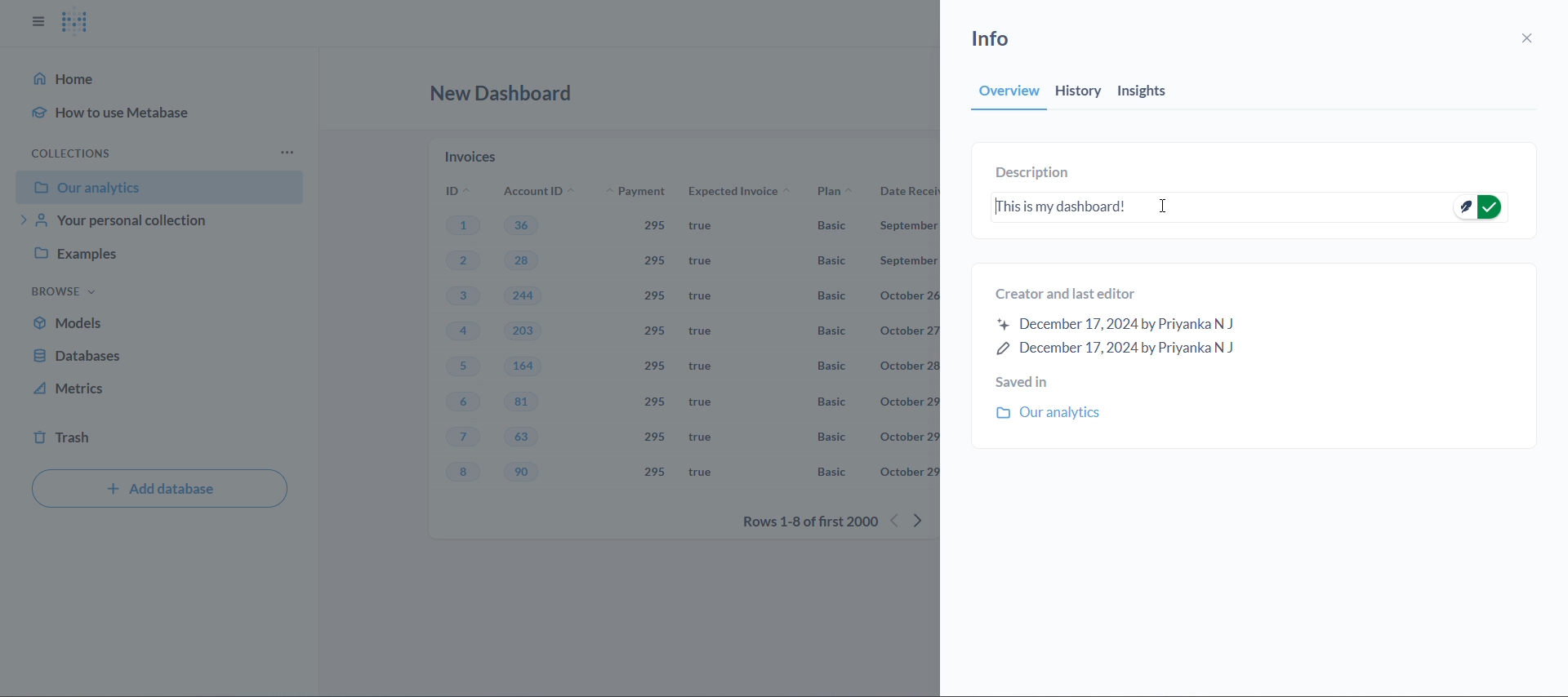 The width and height of the screenshot is (1568, 697). Describe the element at coordinates (76, 151) in the screenshot. I see `collection` at that location.